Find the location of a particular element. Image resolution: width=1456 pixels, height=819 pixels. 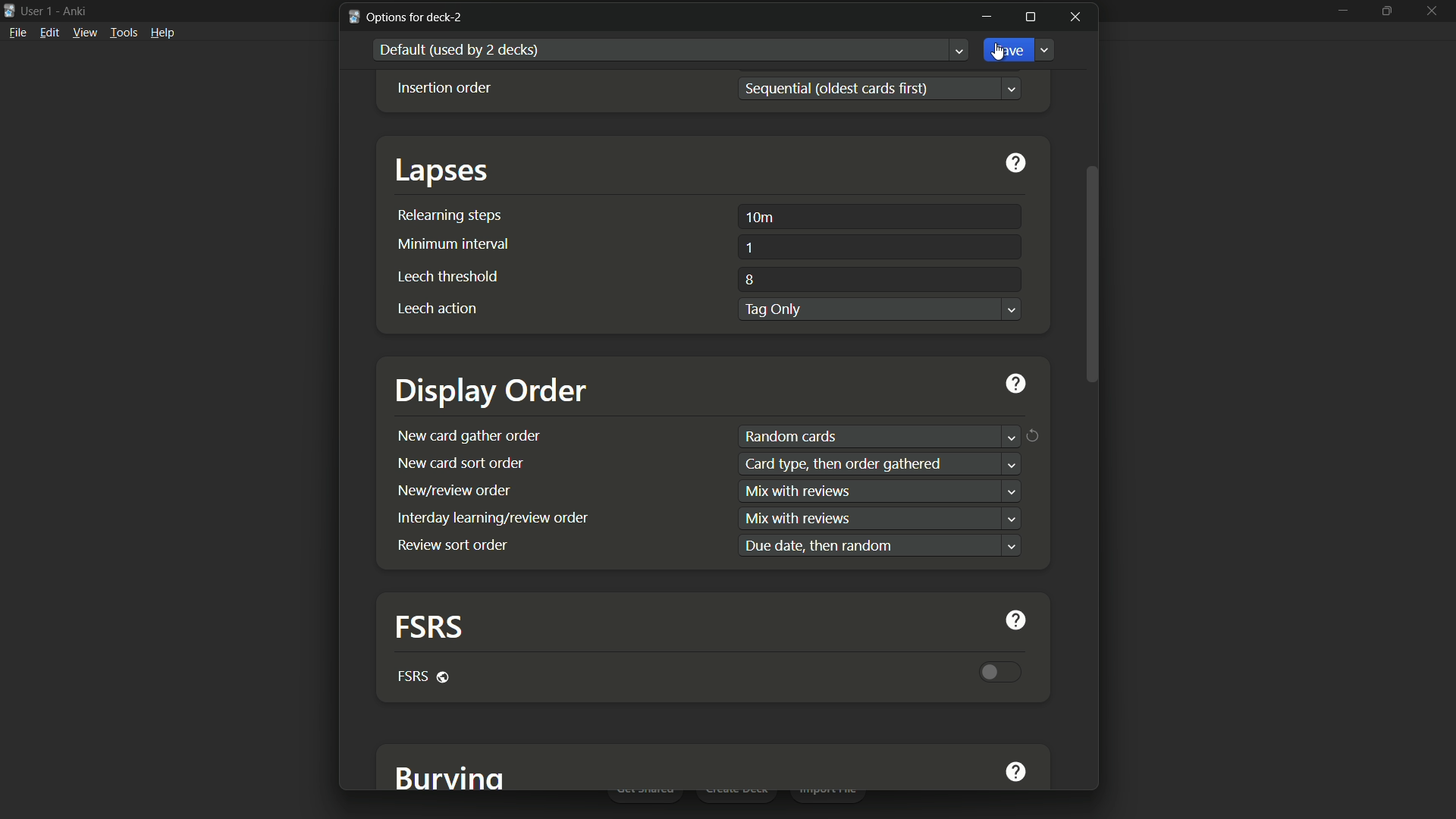

default used by 2 decks is located at coordinates (461, 49).